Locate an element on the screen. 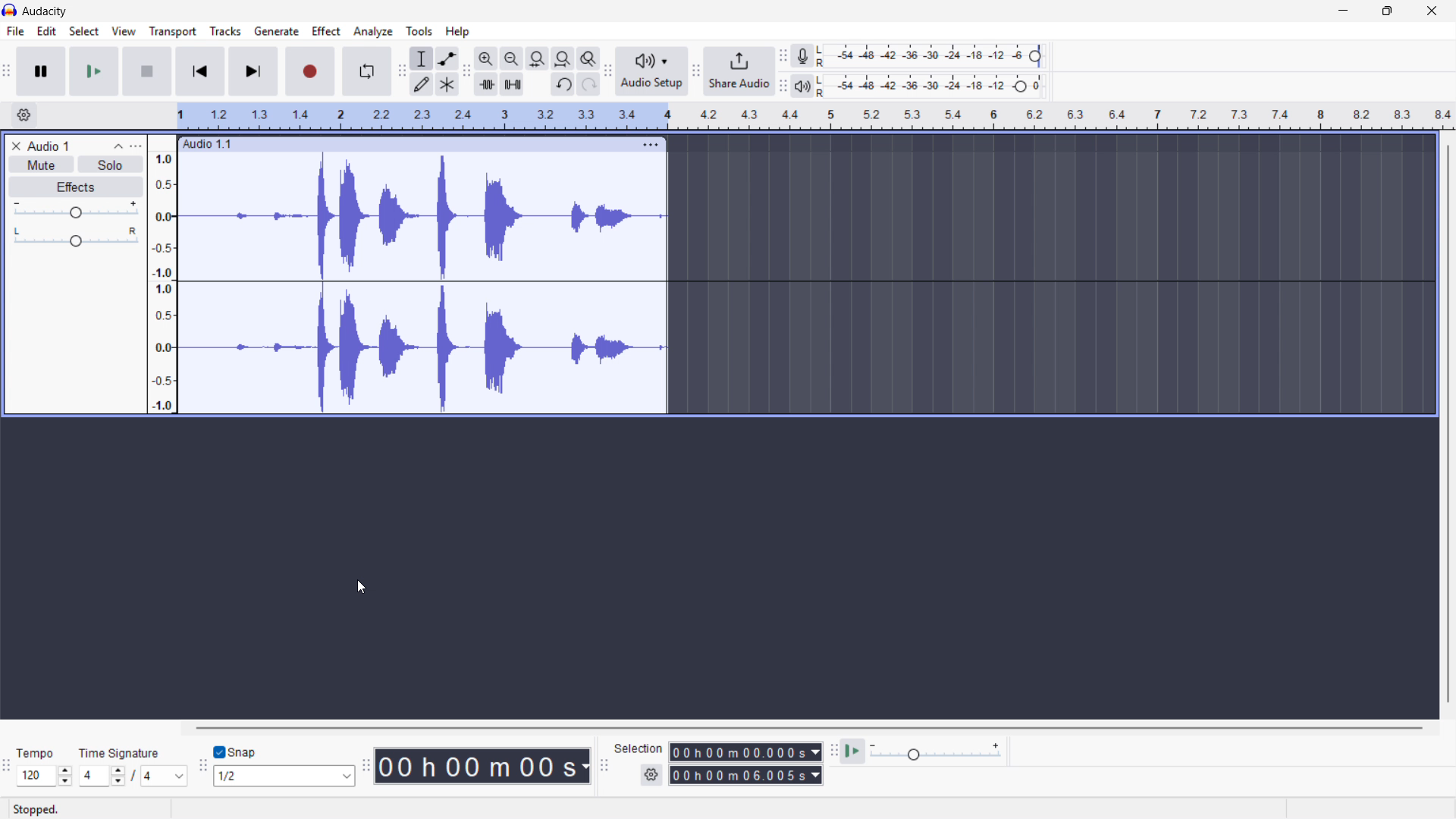 This screenshot has height=819, width=1456. Track control panel menu is located at coordinates (136, 146).